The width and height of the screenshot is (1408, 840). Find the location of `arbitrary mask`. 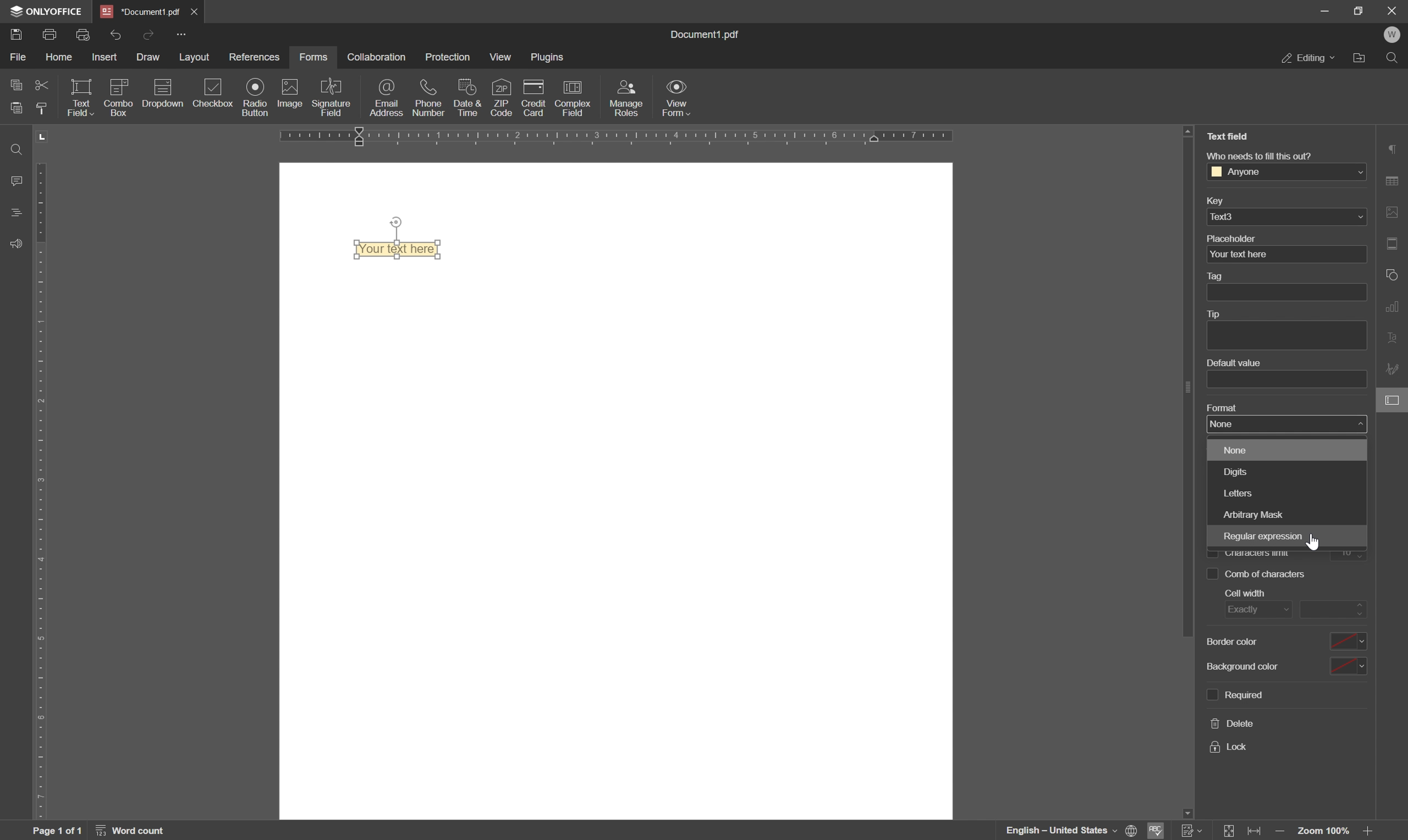

arbitrary mask is located at coordinates (1254, 513).